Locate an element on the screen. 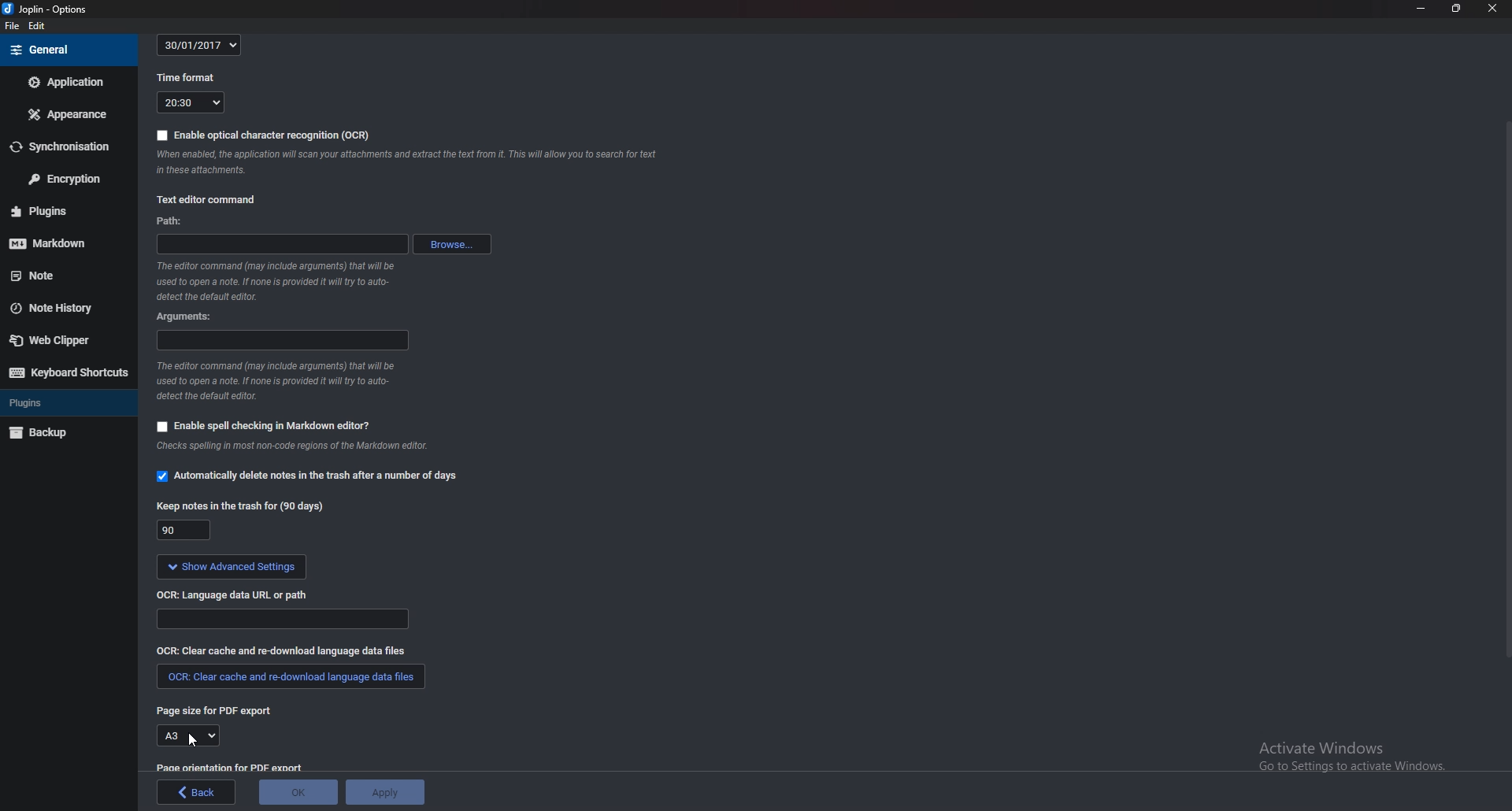 The height and width of the screenshot is (811, 1512). Enable spell checking is located at coordinates (265, 426).